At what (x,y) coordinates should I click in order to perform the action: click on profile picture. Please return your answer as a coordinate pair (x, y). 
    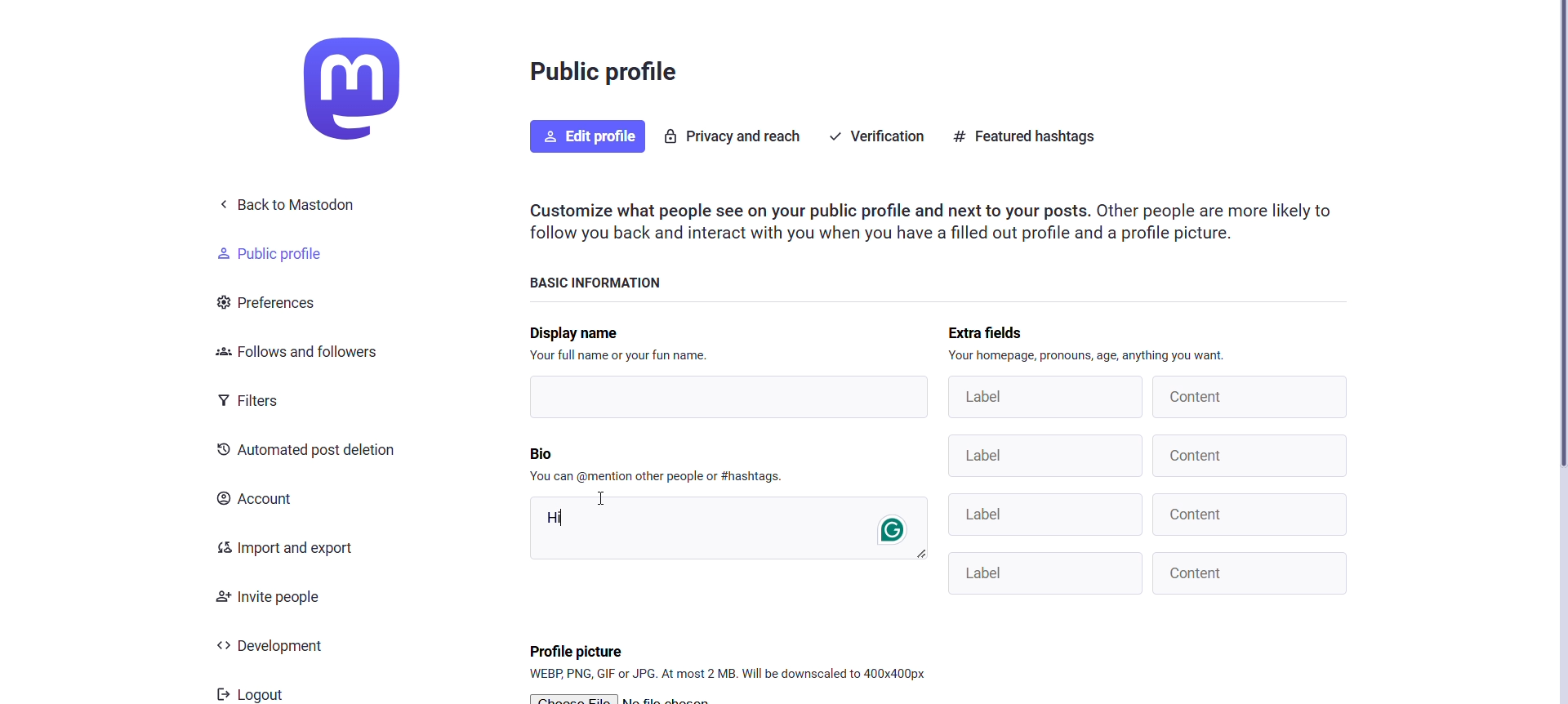
    Looking at the image, I should click on (573, 650).